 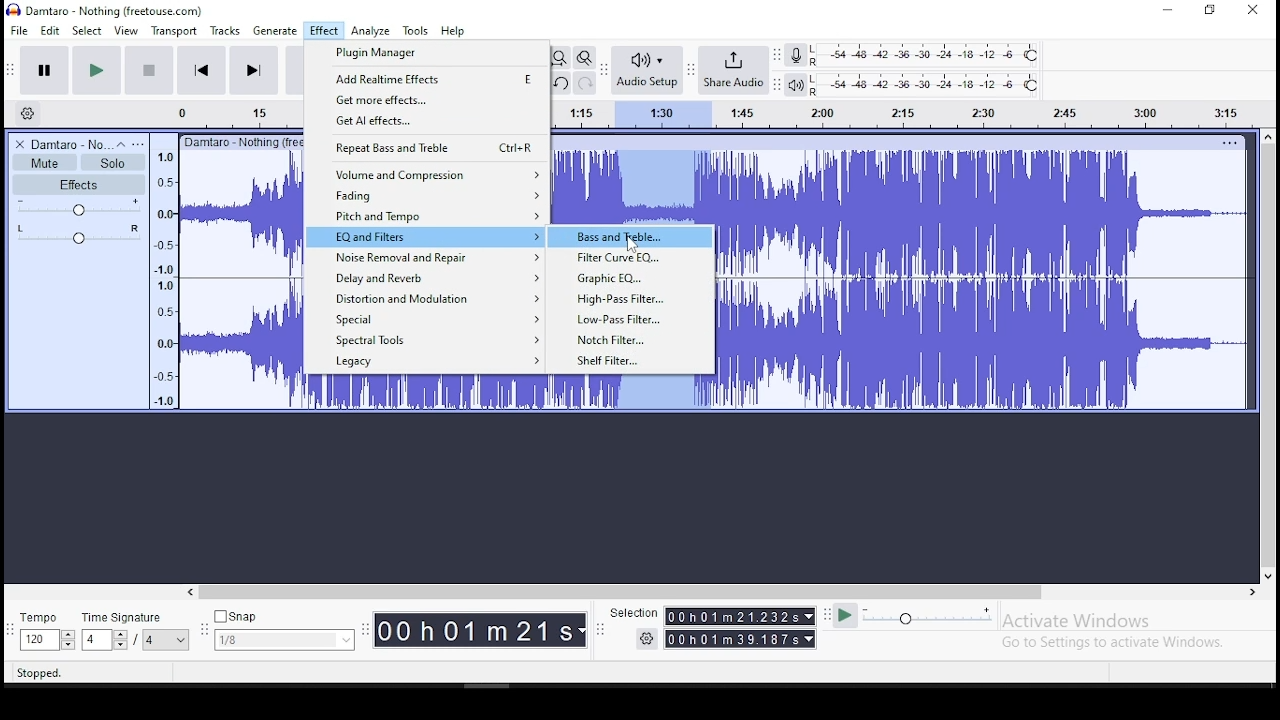 What do you see at coordinates (323, 32) in the screenshot?
I see `effect` at bounding box center [323, 32].